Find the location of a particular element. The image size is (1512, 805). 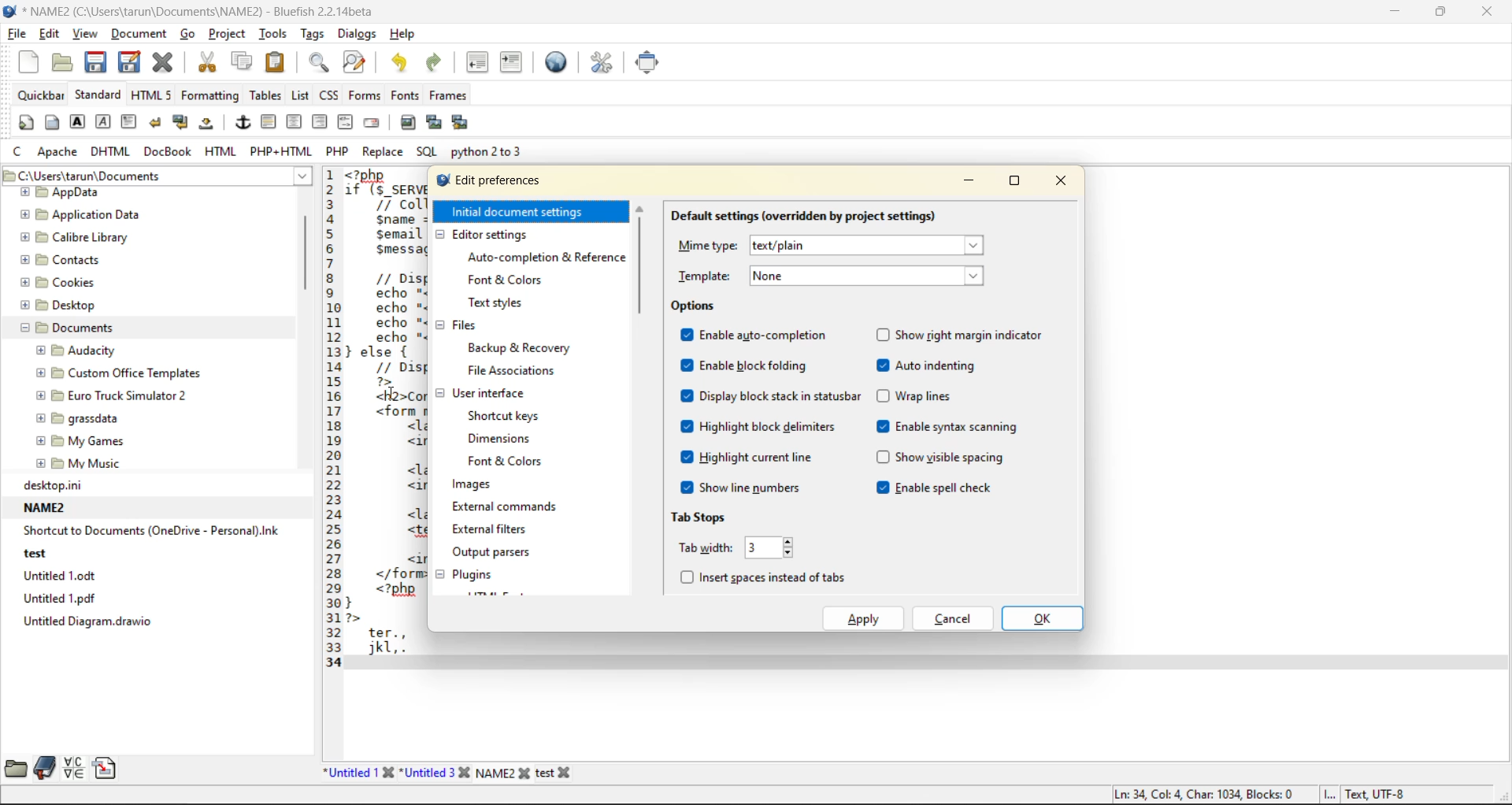

php is located at coordinates (336, 150).